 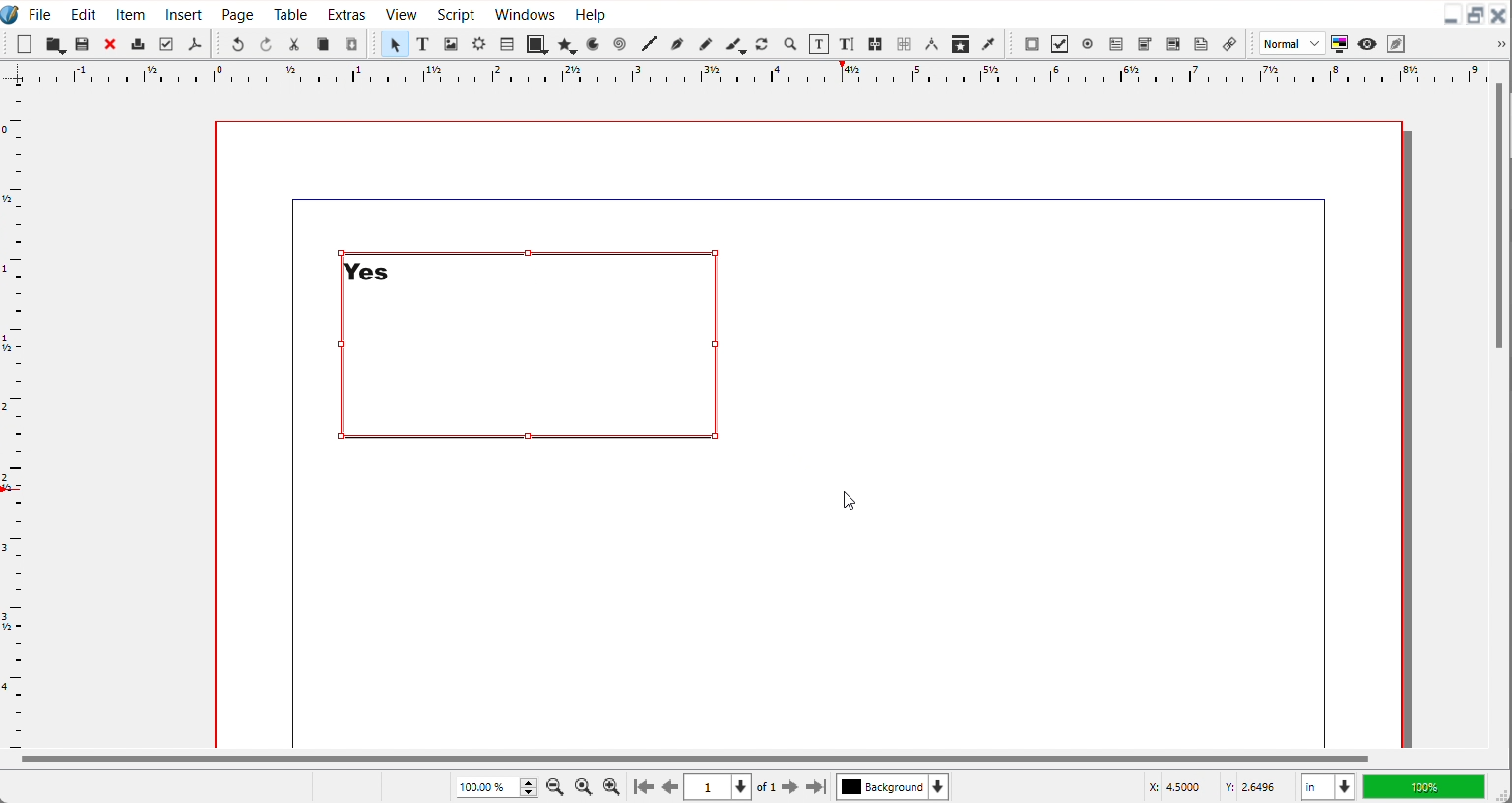 What do you see at coordinates (1451, 16) in the screenshot?
I see `Minimize` at bounding box center [1451, 16].